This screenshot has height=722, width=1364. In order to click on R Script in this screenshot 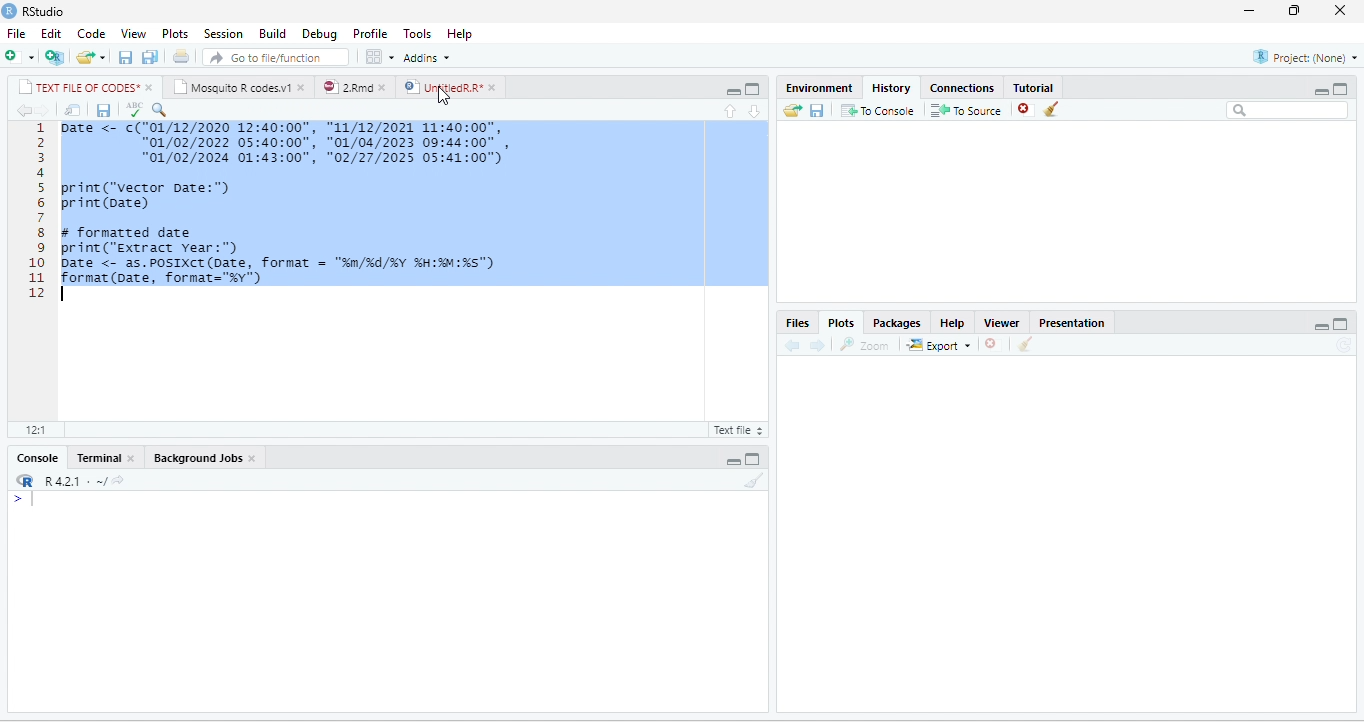, I will do `click(736, 429)`.